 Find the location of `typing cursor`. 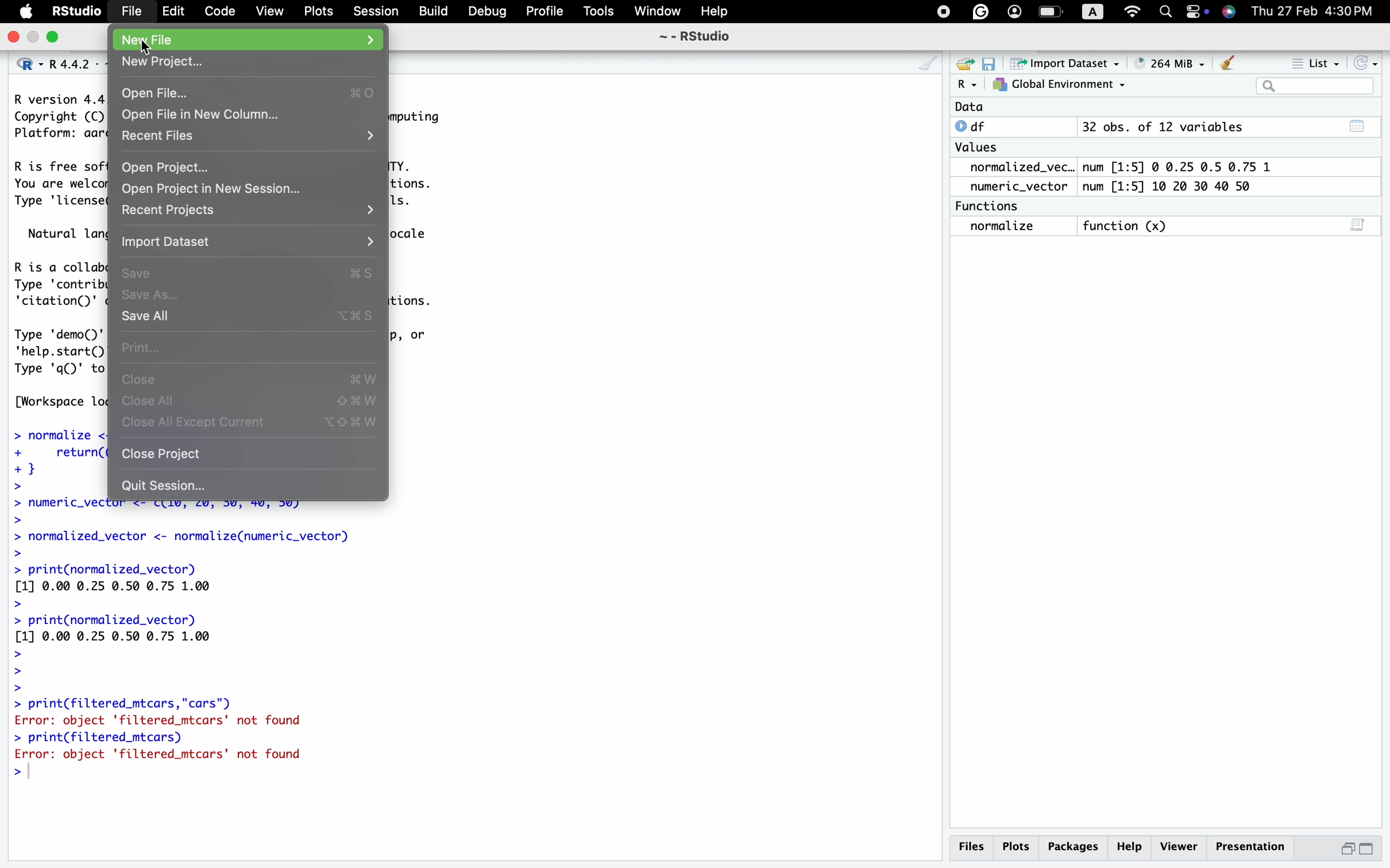

typing cursor is located at coordinates (35, 774).